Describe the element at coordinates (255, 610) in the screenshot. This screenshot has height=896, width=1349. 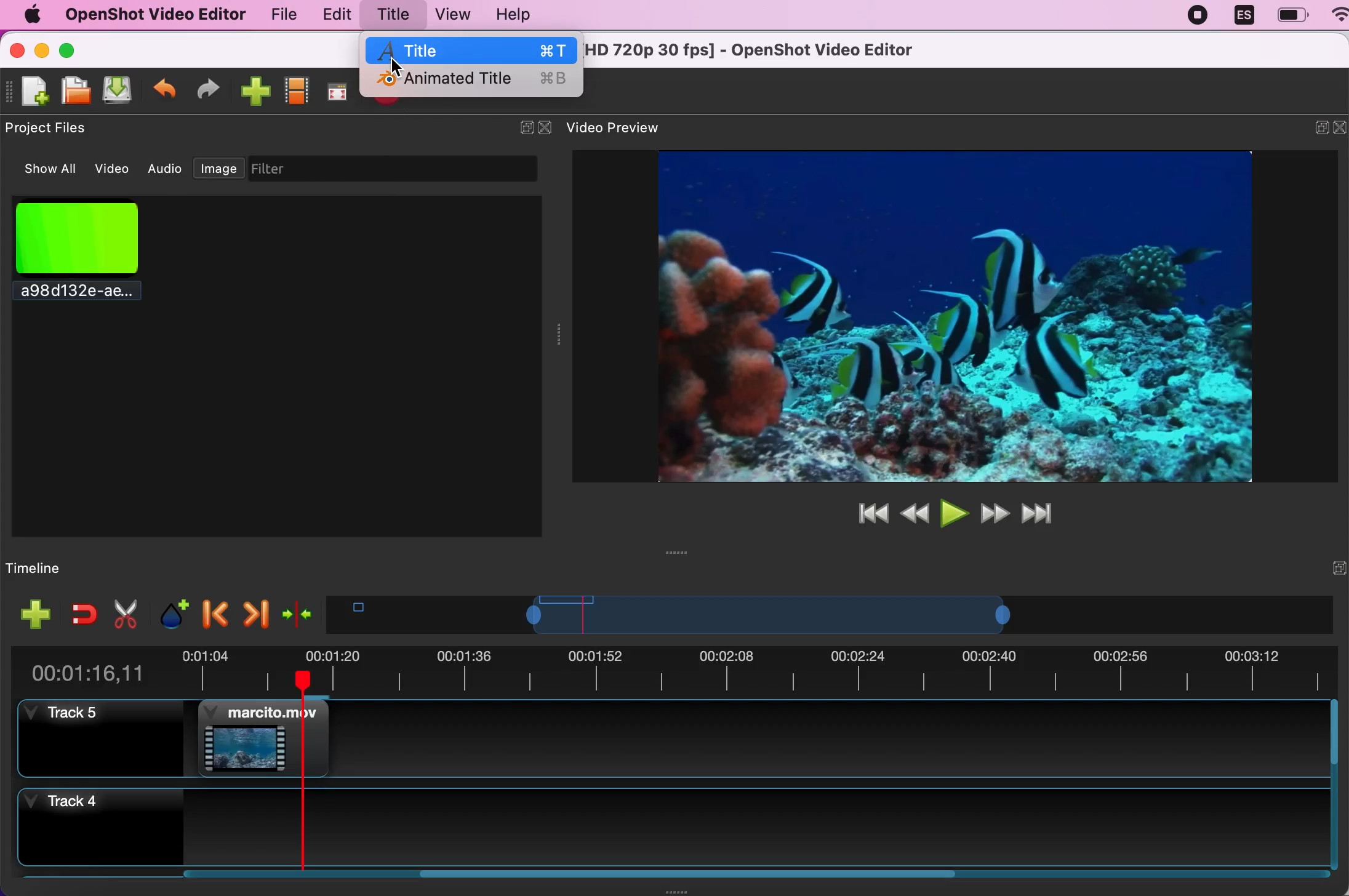
I see `next marker` at that location.